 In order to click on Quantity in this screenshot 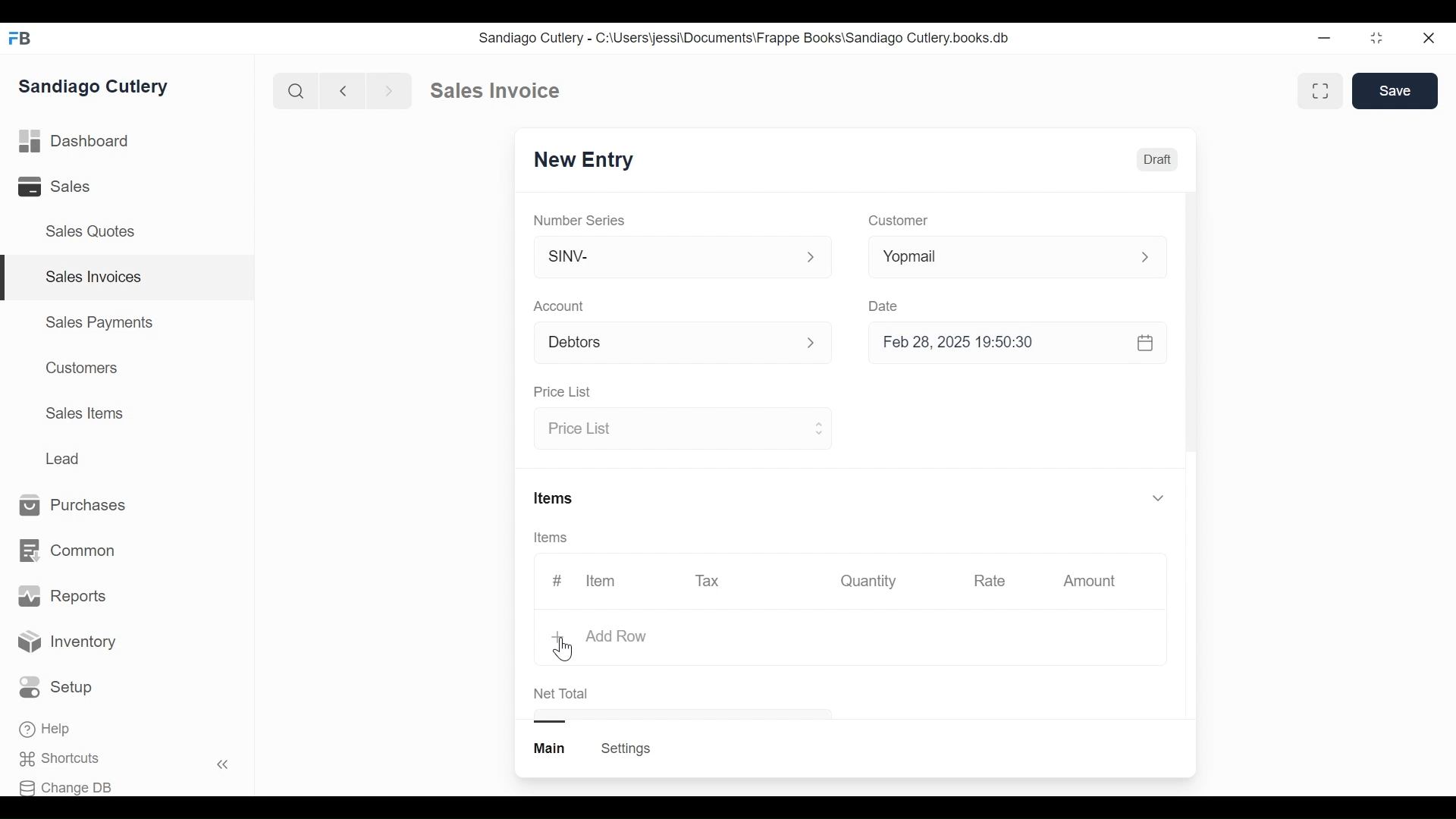, I will do `click(870, 581)`.